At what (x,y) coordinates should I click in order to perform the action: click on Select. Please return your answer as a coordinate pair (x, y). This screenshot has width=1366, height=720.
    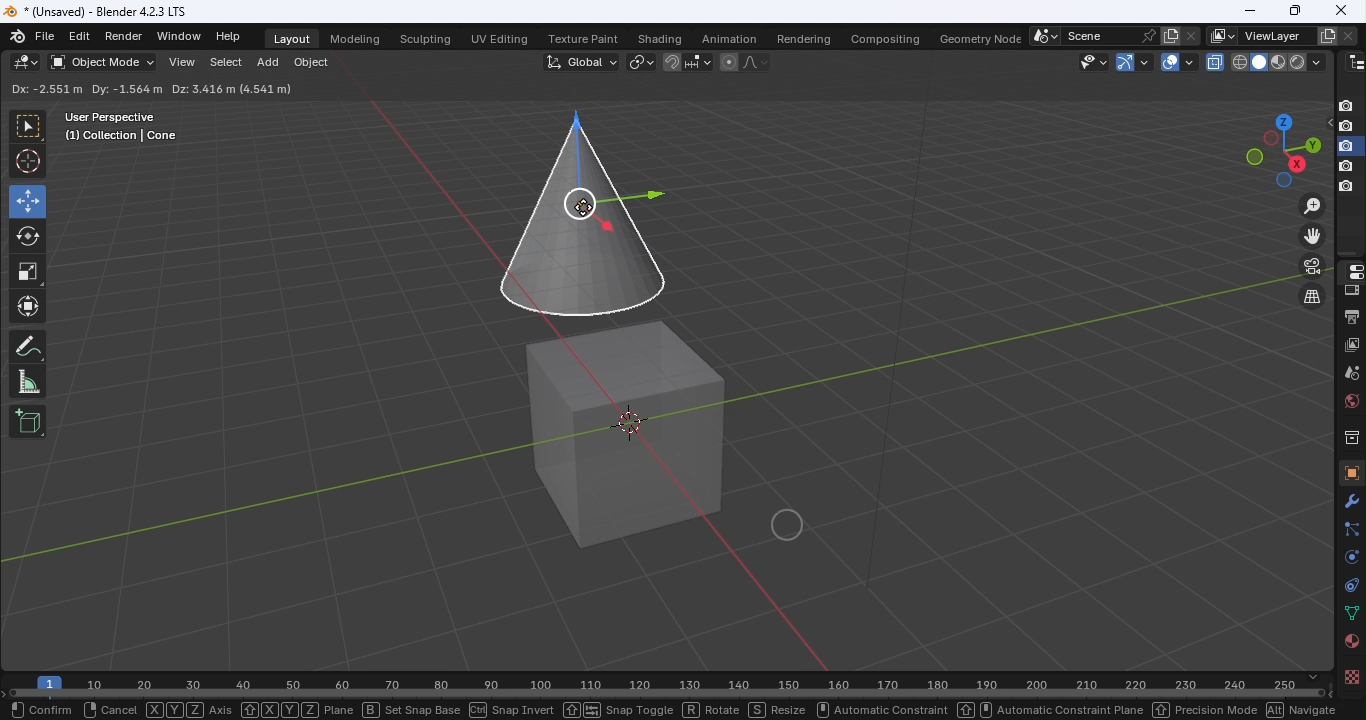
    Looking at the image, I should click on (222, 65).